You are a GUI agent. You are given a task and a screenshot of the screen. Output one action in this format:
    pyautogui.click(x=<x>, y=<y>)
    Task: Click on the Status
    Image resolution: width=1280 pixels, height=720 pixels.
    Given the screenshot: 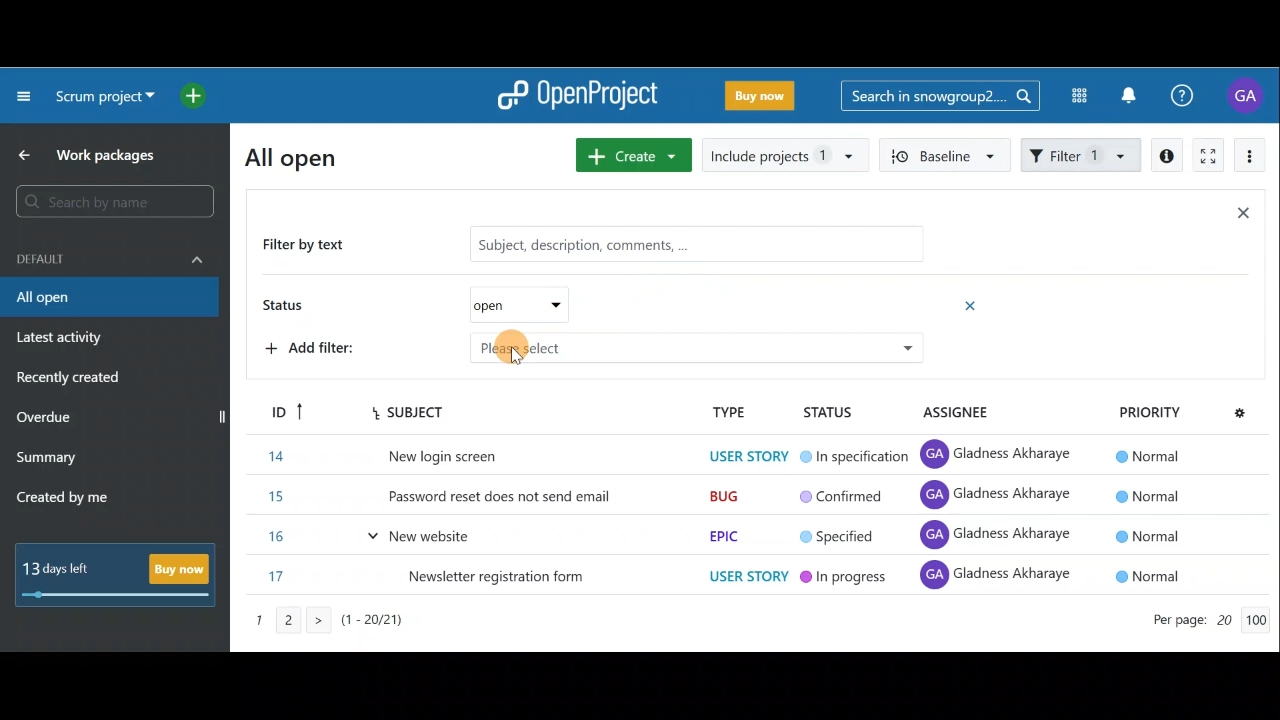 What is the action you would take?
    pyautogui.click(x=436, y=307)
    